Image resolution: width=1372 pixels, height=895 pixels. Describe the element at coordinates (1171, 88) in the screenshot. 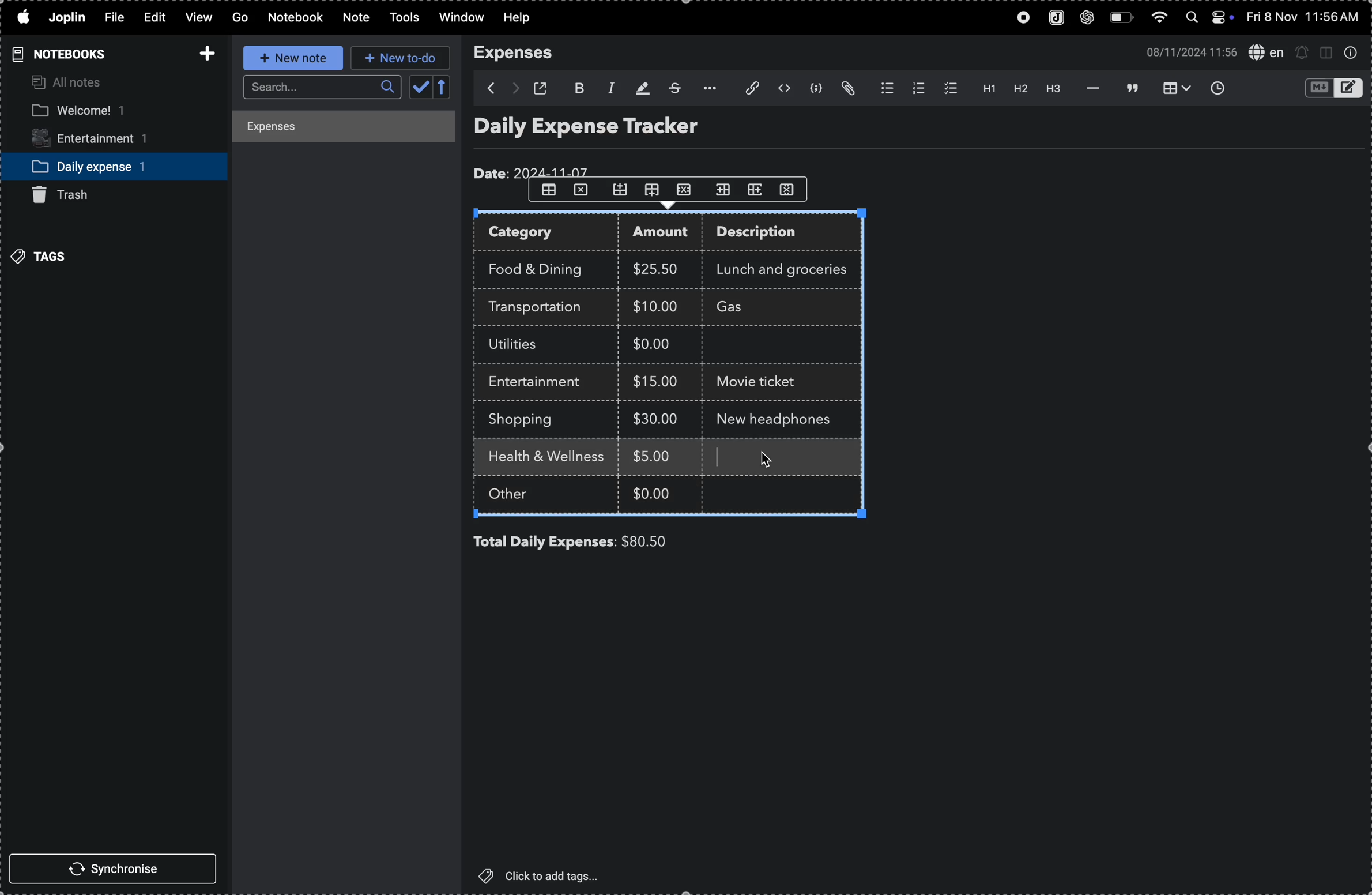

I see `table view` at that location.